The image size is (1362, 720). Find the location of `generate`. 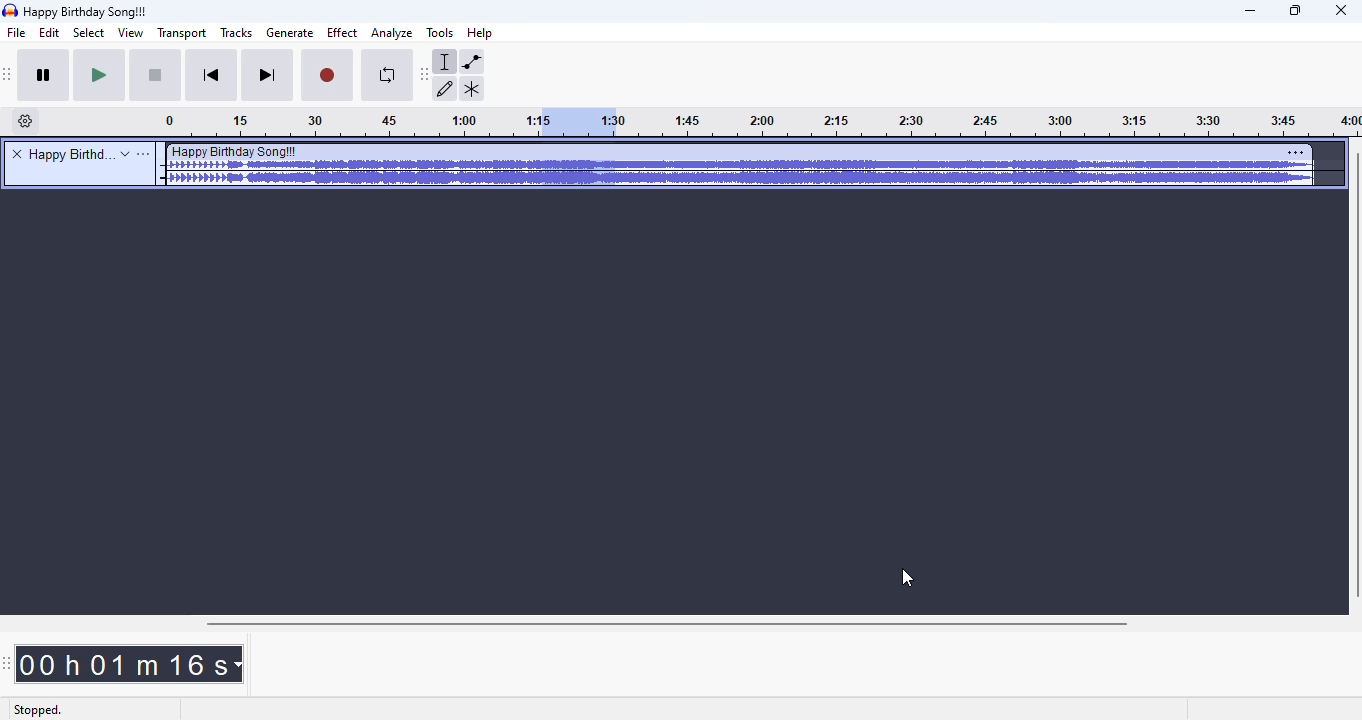

generate is located at coordinates (290, 33).